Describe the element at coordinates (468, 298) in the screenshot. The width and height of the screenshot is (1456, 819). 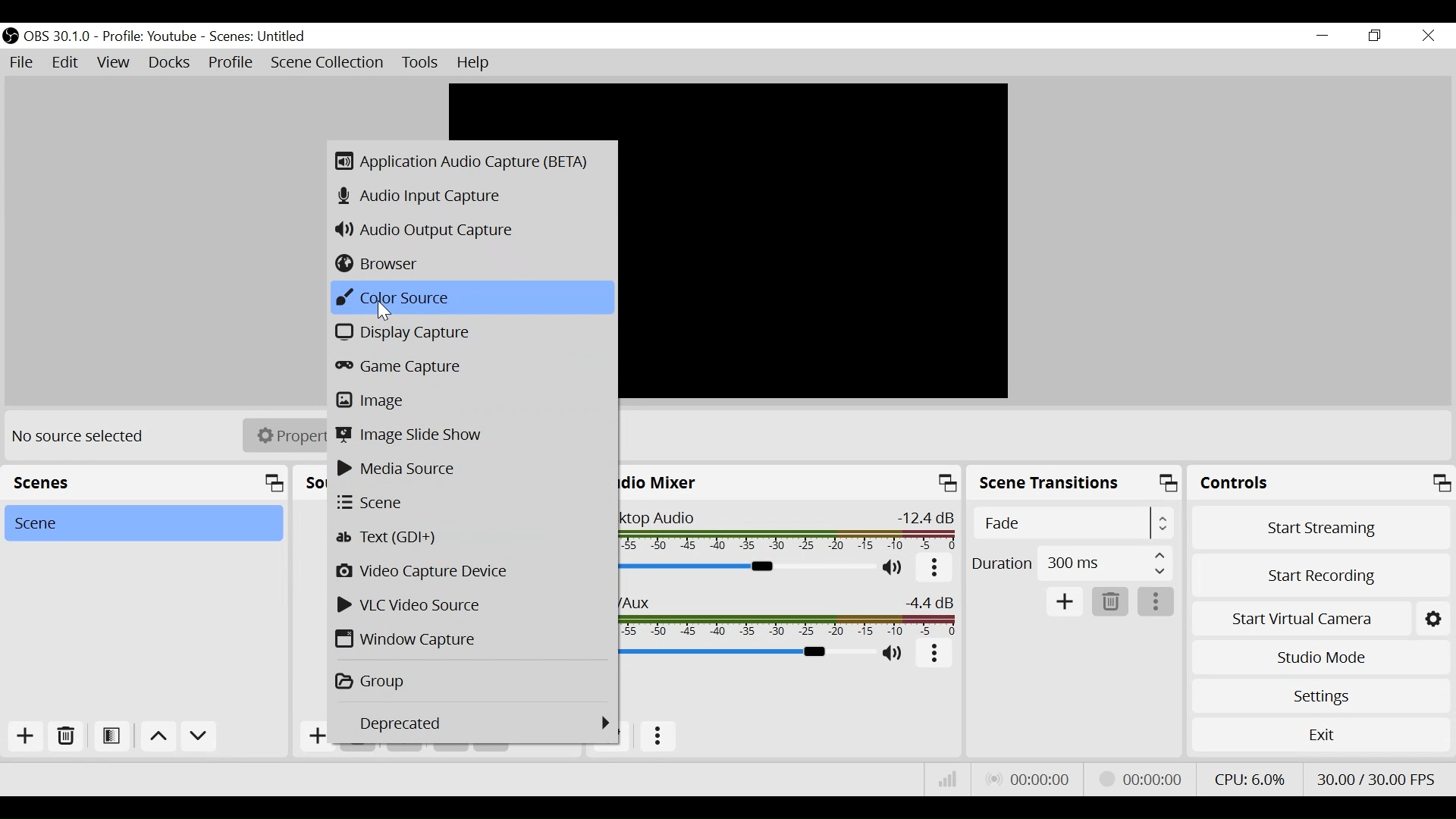
I see `Color Source` at that location.